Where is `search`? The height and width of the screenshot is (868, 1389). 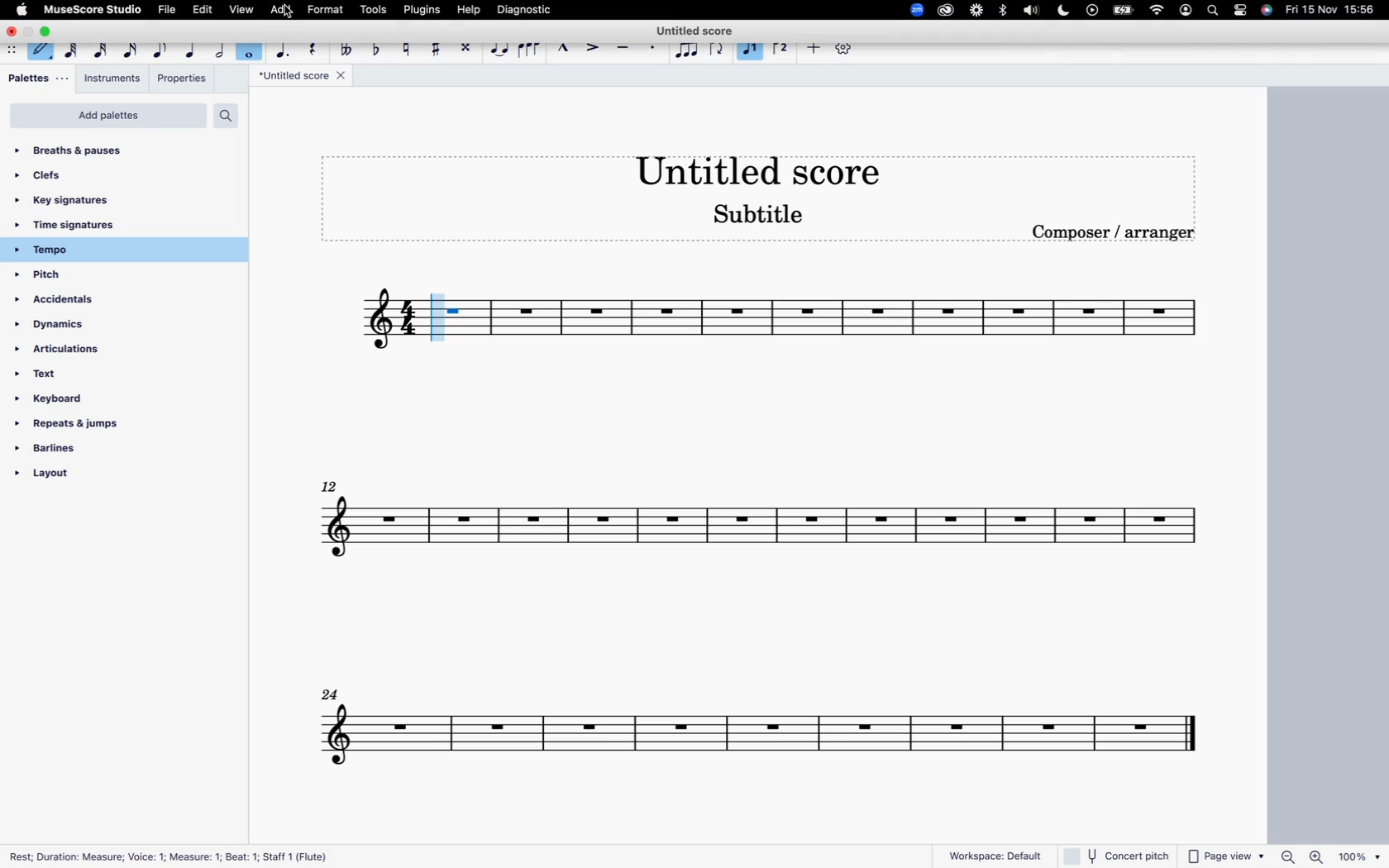 search is located at coordinates (1210, 12).